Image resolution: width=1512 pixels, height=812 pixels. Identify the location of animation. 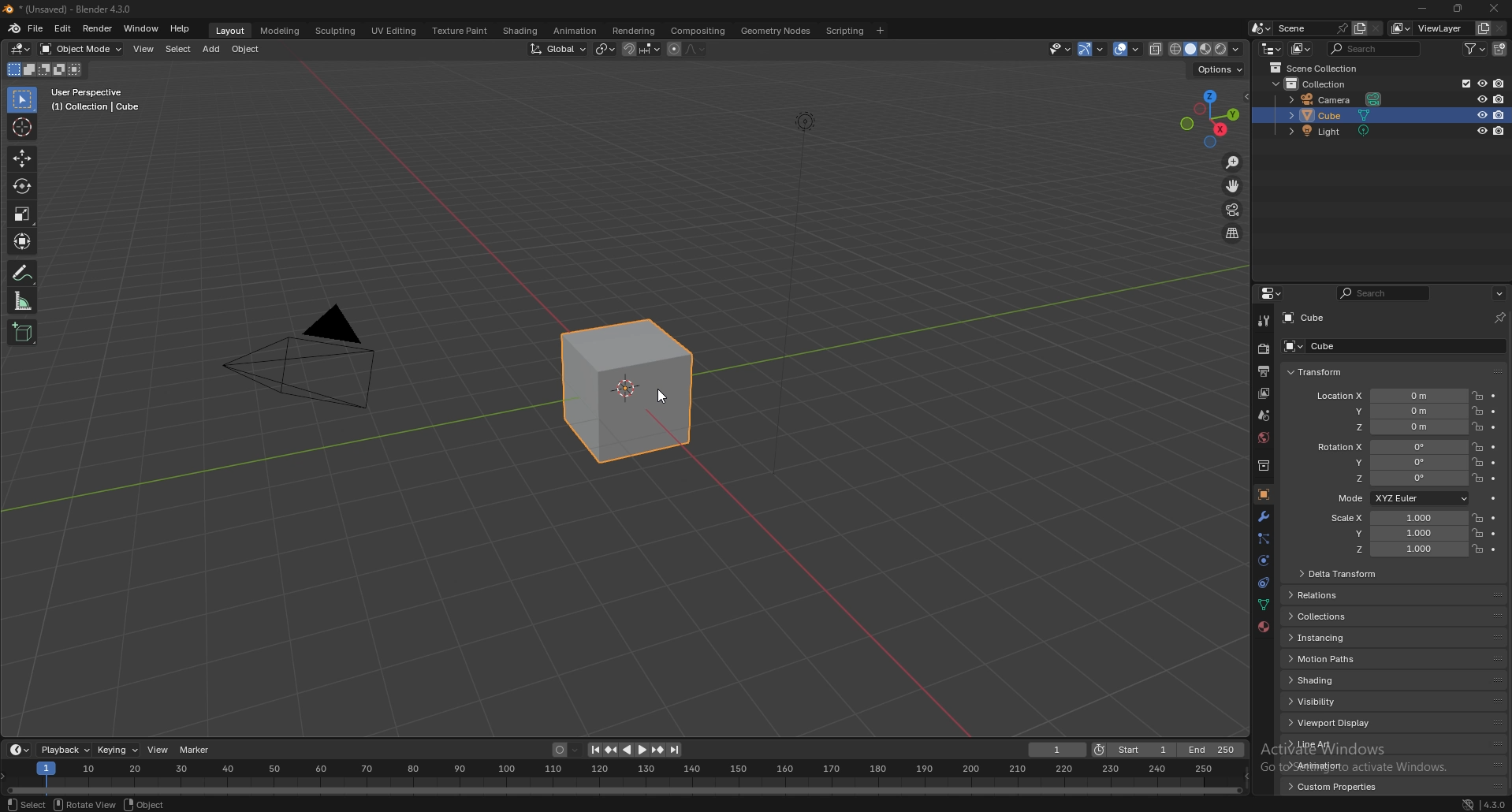
(1341, 765).